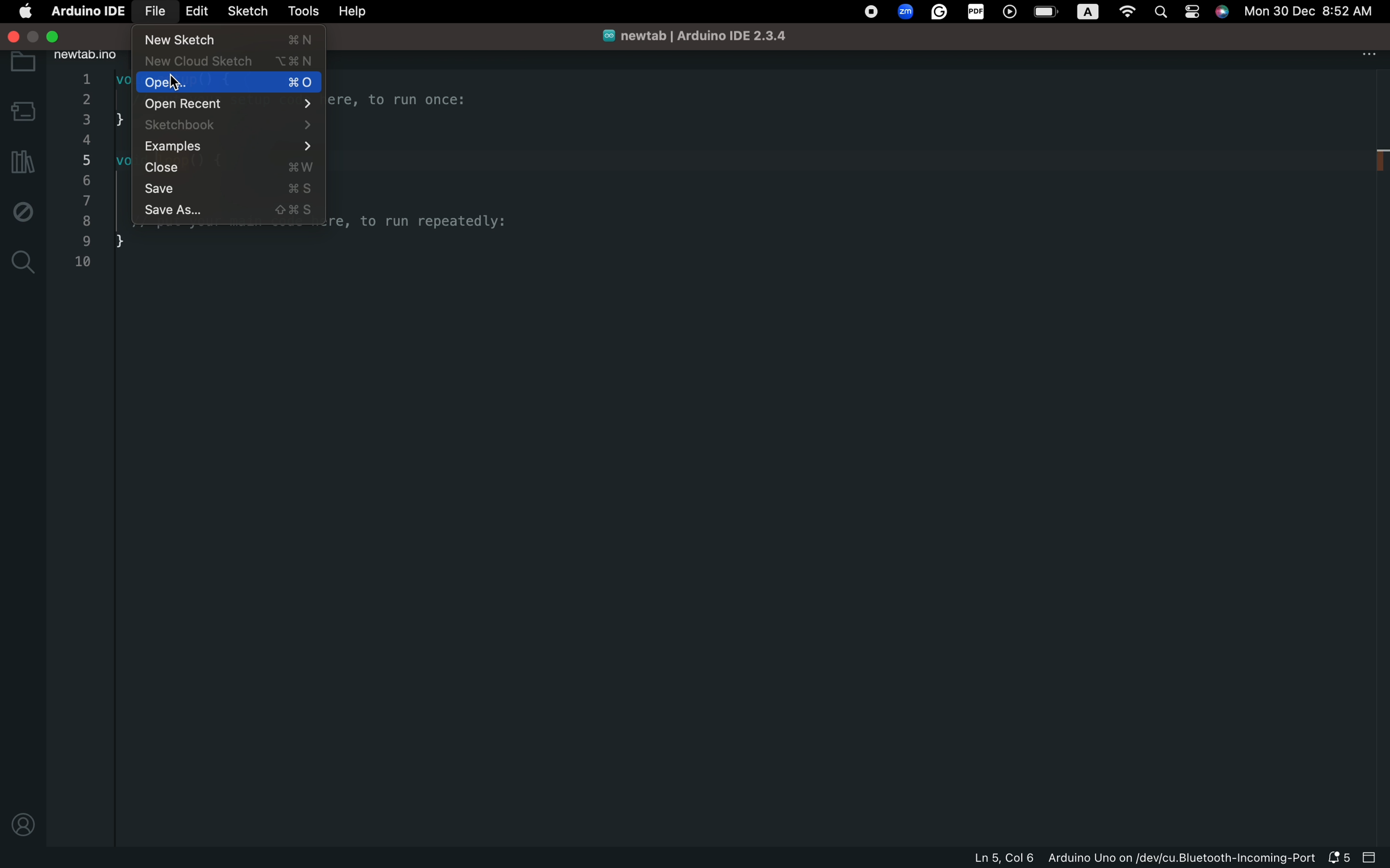 The width and height of the screenshot is (1390, 868). What do you see at coordinates (230, 189) in the screenshot?
I see `save` at bounding box center [230, 189].